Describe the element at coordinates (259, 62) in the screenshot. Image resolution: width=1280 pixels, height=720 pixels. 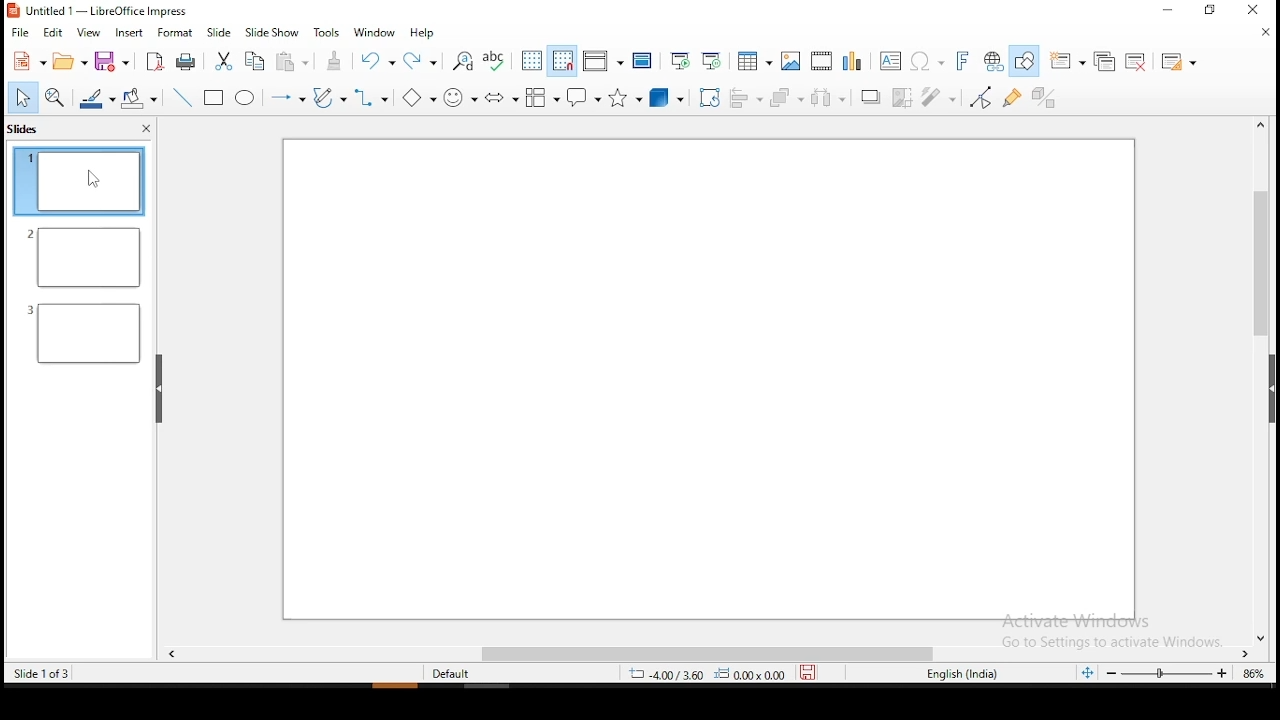
I see `copy` at that location.